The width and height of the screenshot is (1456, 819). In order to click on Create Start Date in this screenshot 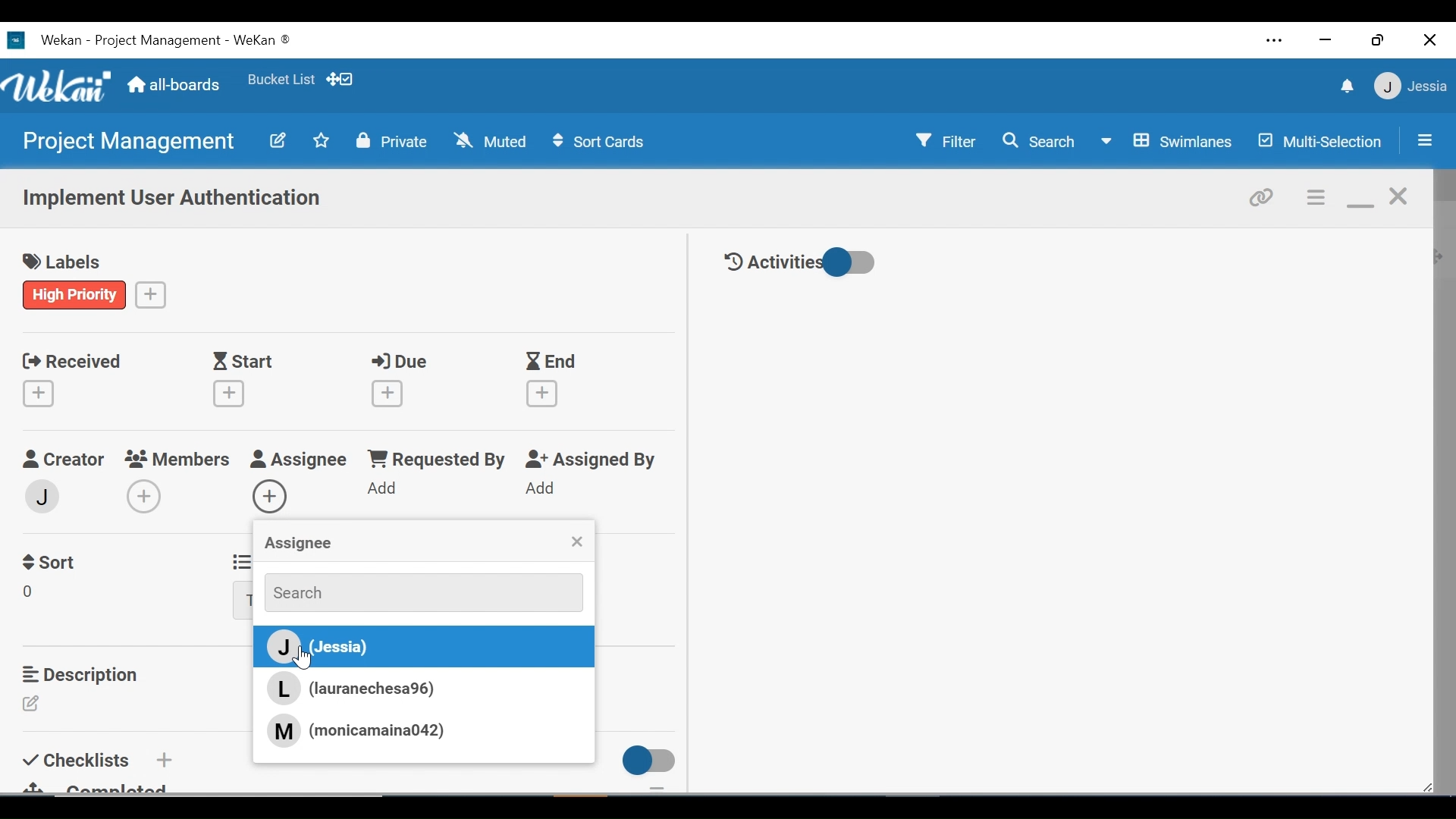, I will do `click(229, 394)`.